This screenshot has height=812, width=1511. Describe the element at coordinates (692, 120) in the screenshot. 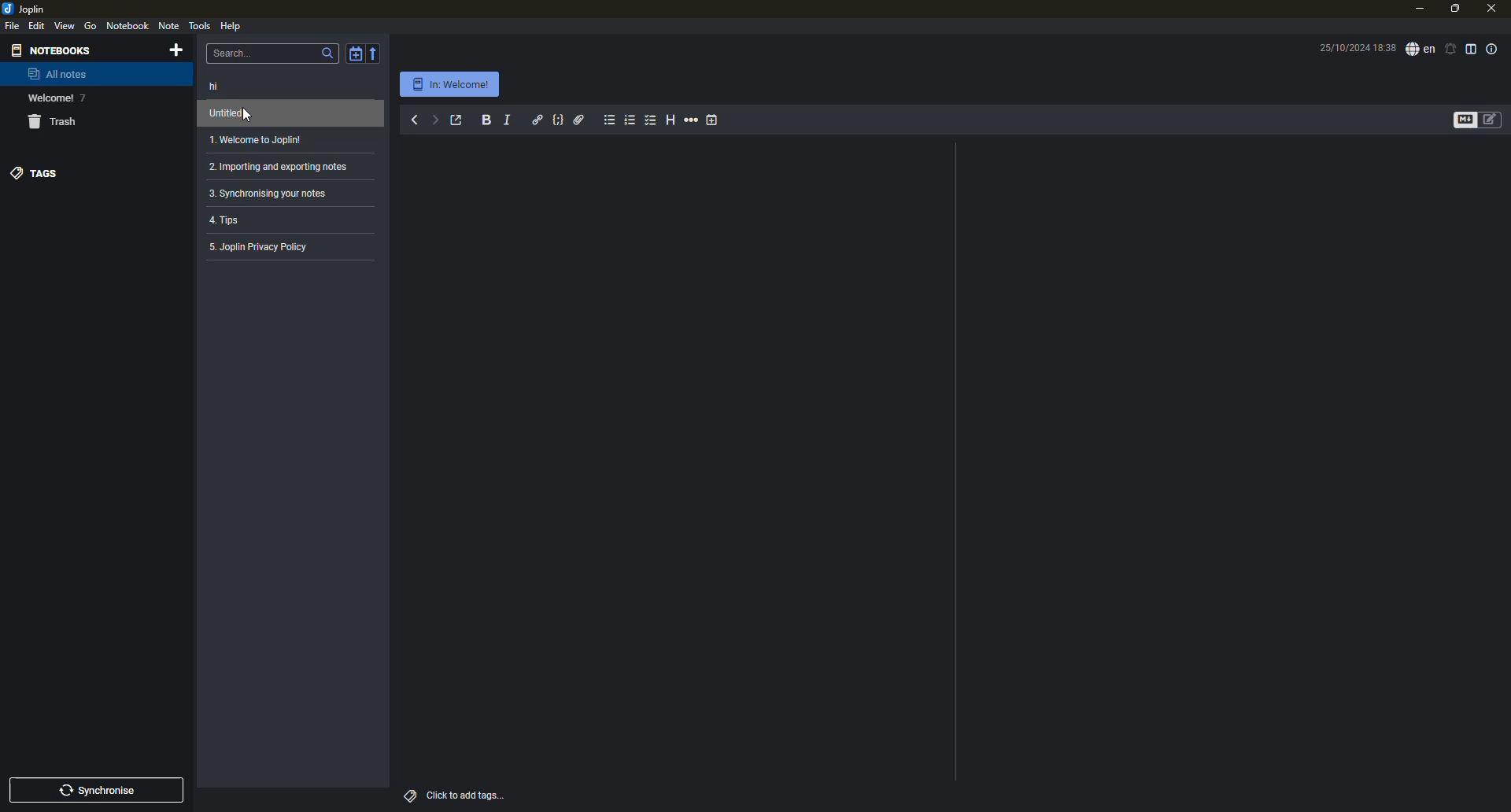

I see `horizontal rule` at that location.